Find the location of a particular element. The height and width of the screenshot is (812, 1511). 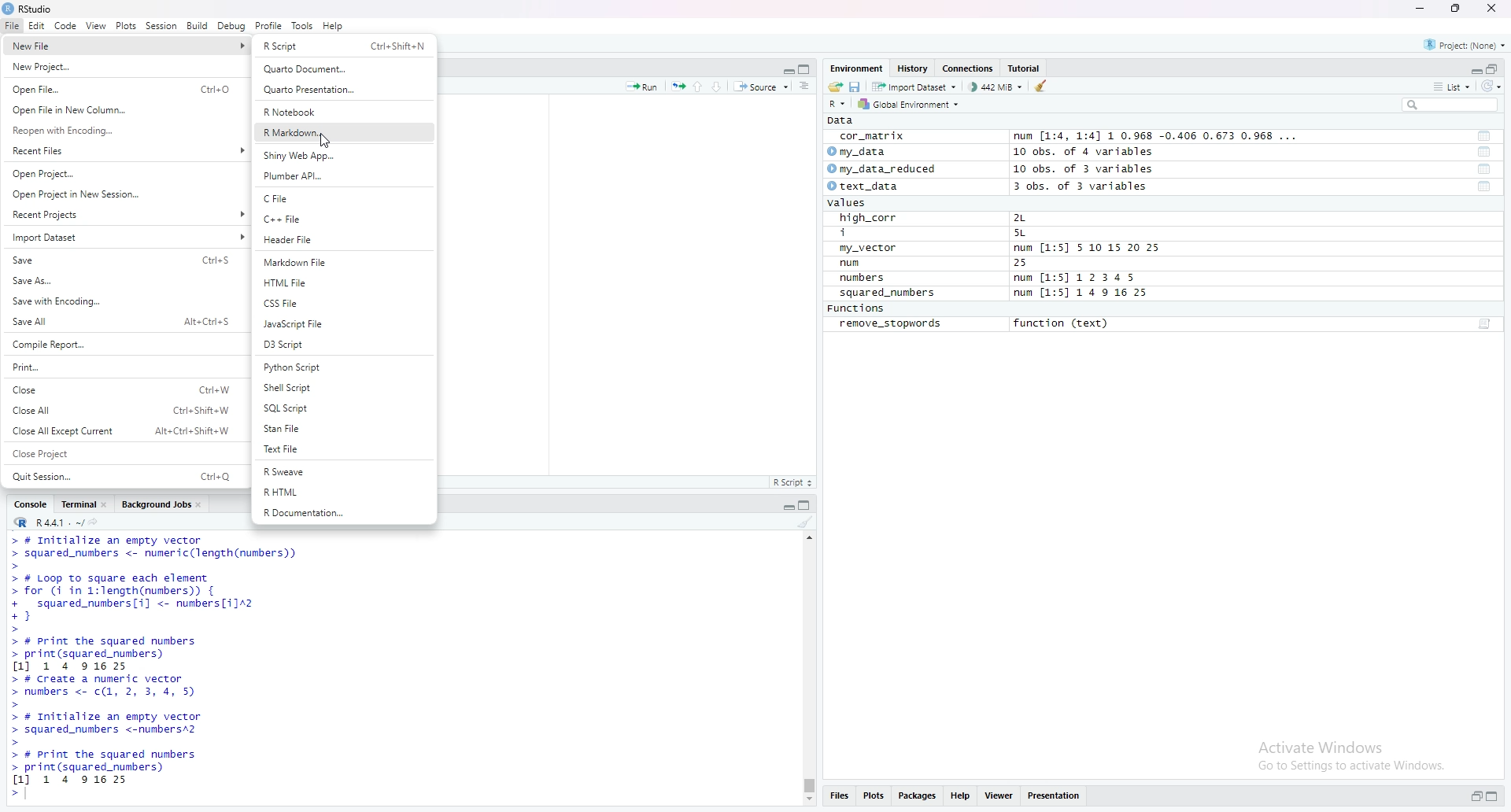

Stan File is located at coordinates (342, 430).